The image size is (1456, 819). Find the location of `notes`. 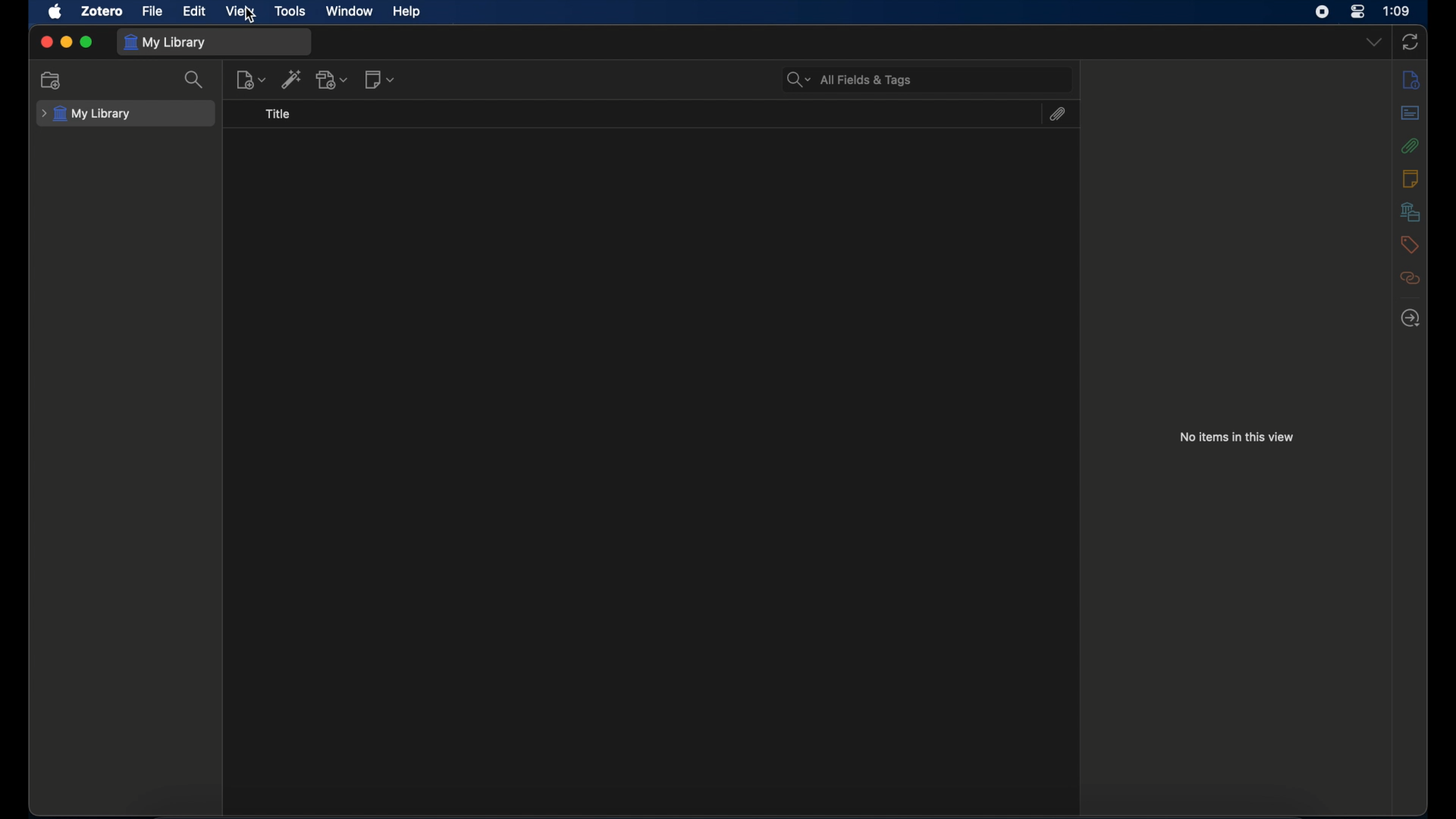

notes is located at coordinates (1410, 178).